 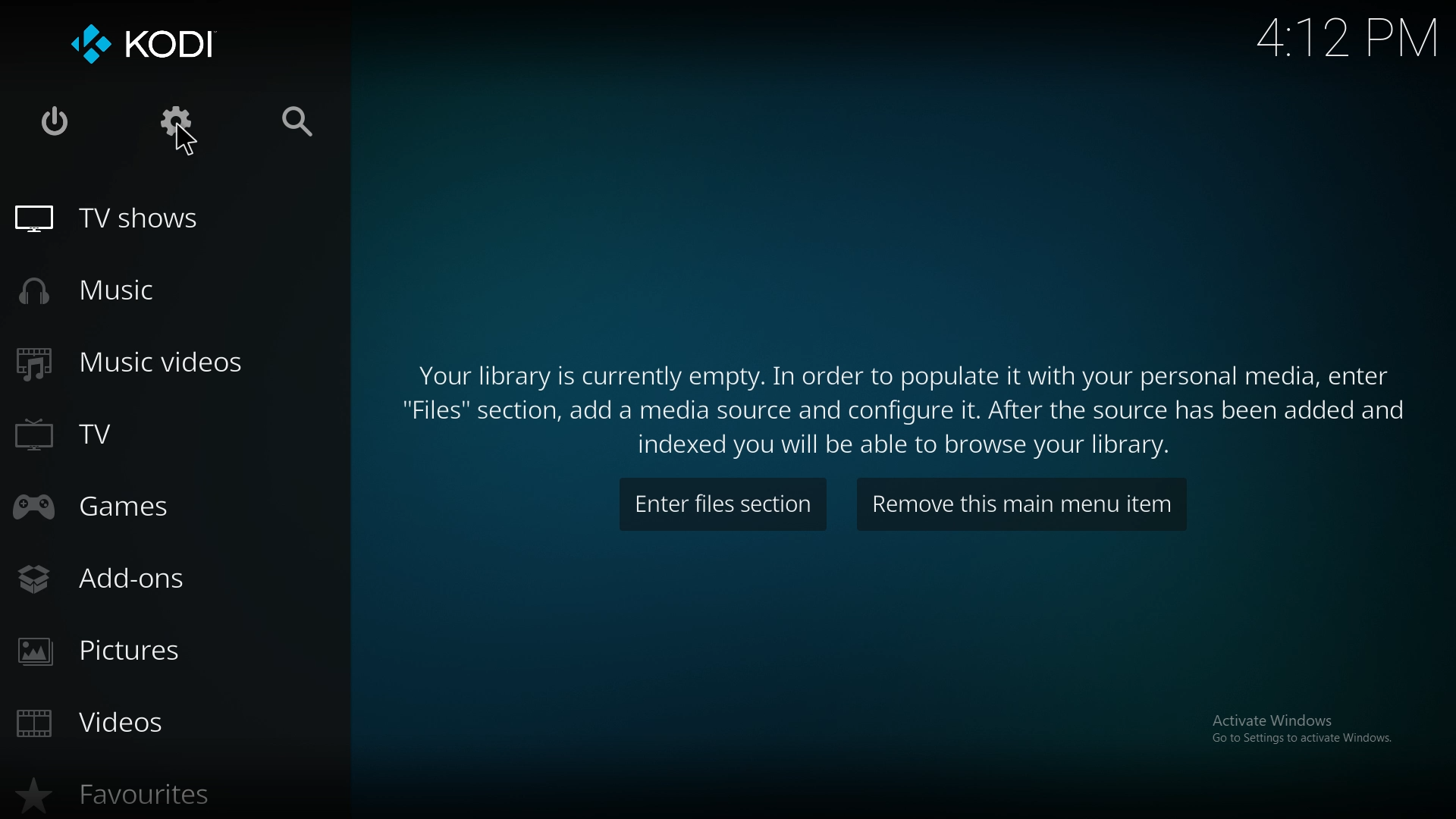 What do you see at coordinates (105, 288) in the screenshot?
I see `music` at bounding box center [105, 288].